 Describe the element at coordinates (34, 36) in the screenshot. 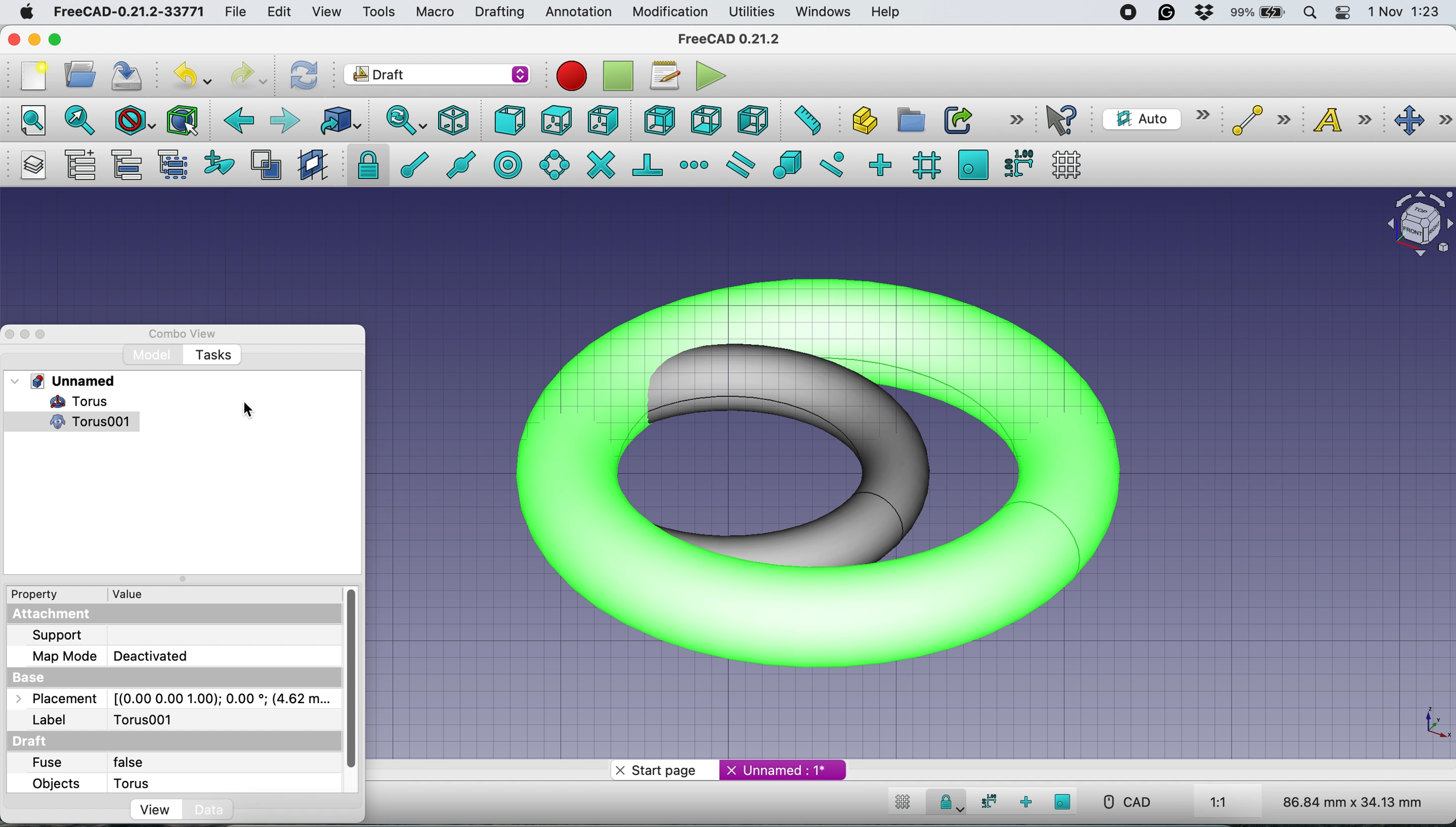

I see `minimise` at that location.